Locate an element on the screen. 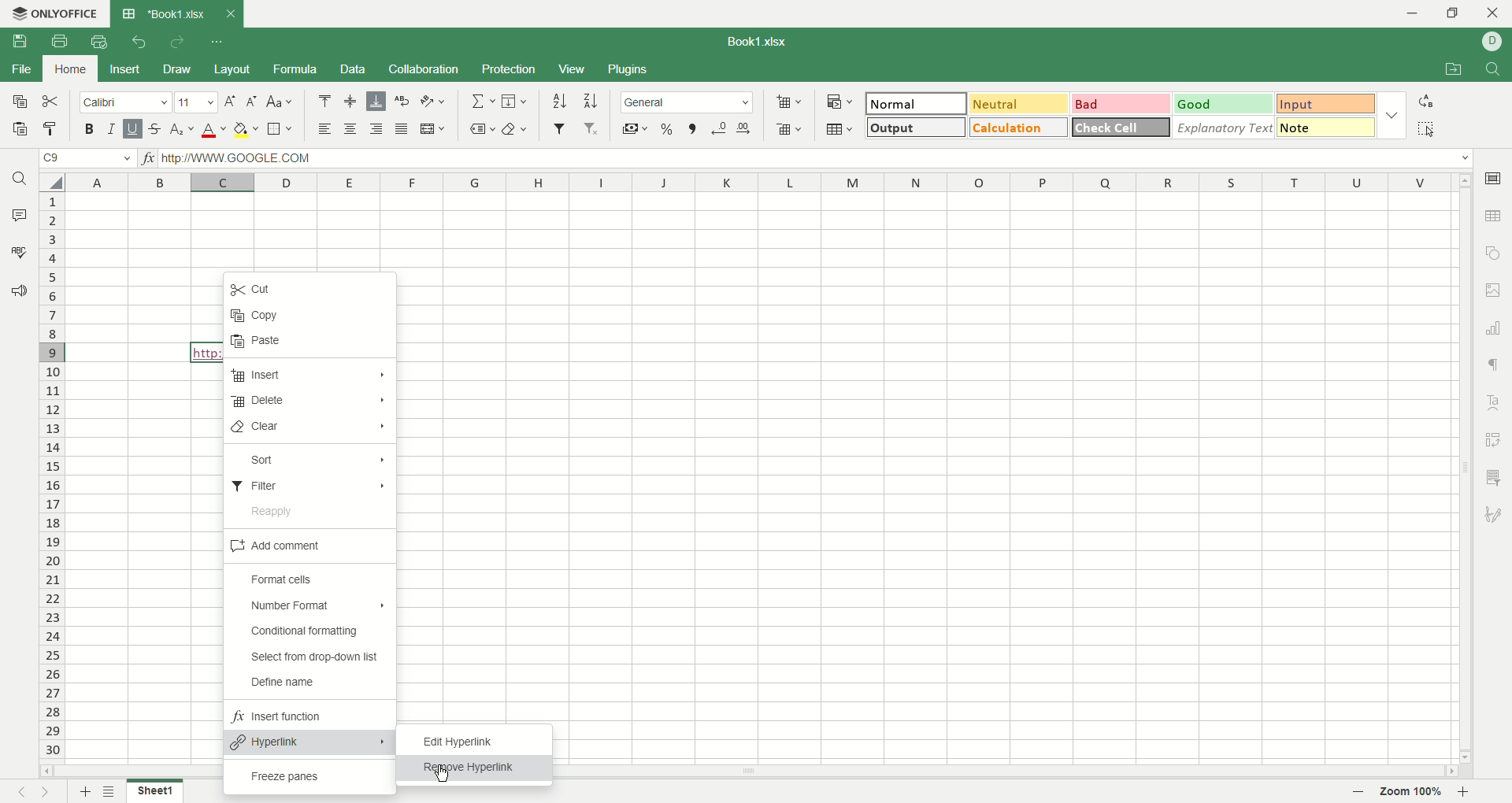 This screenshot has height=803, width=1512. table option is located at coordinates (1493, 216).